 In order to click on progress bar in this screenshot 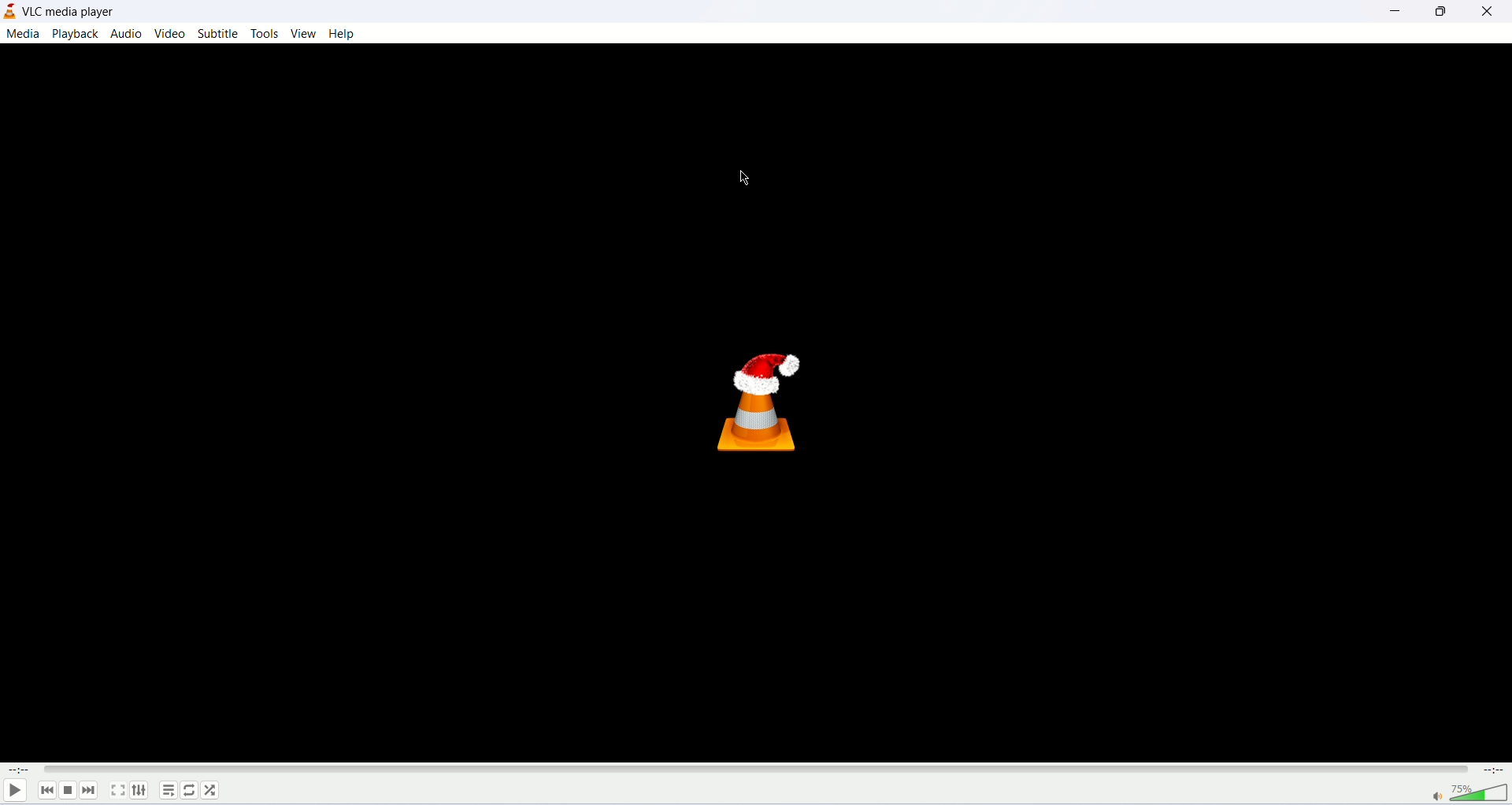, I will do `click(760, 769)`.